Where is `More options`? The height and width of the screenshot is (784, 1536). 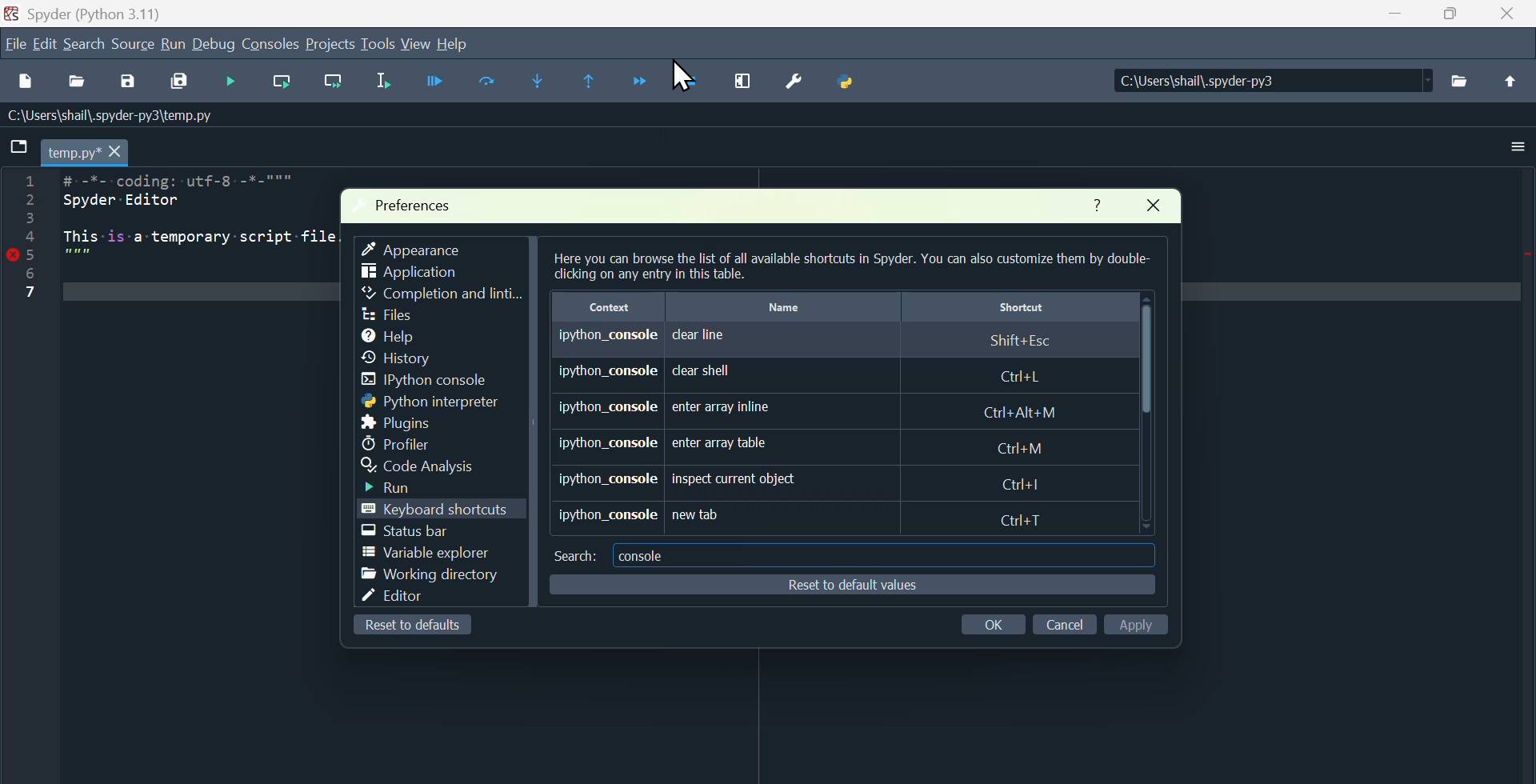
More options is located at coordinates (1518, 149).